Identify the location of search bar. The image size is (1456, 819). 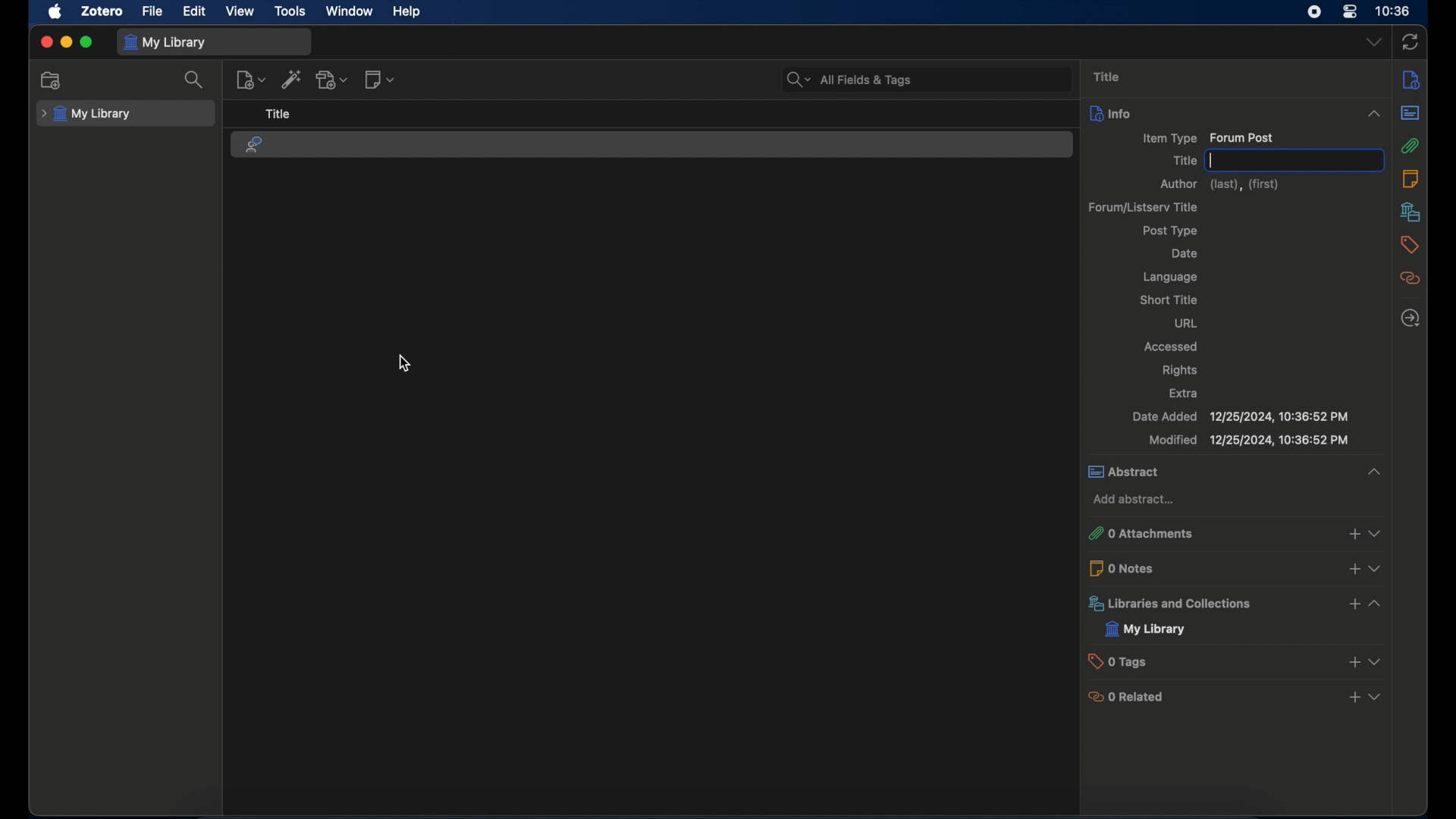
(848, 79).